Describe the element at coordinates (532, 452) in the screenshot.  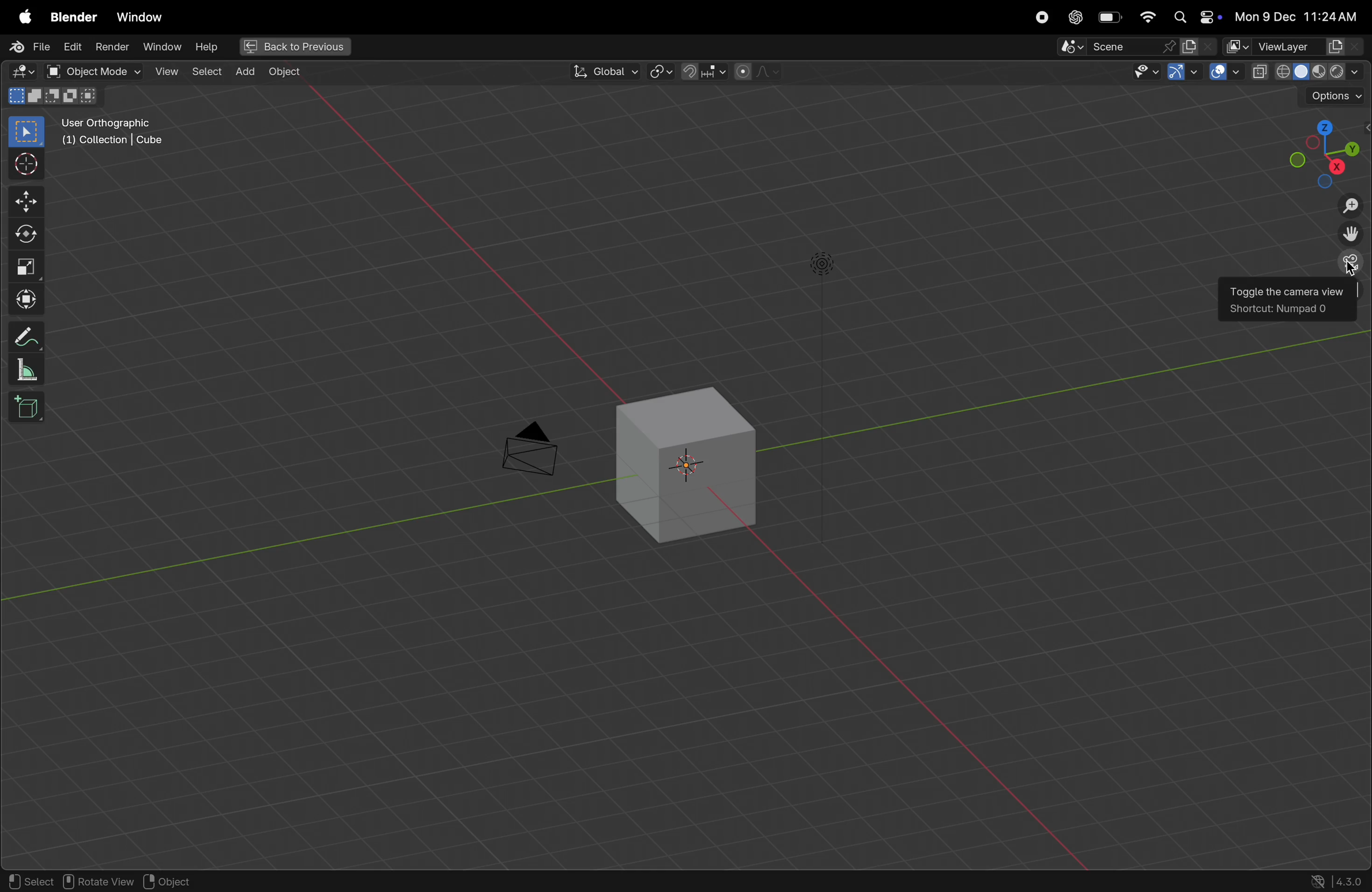
I see `camera` at that location.